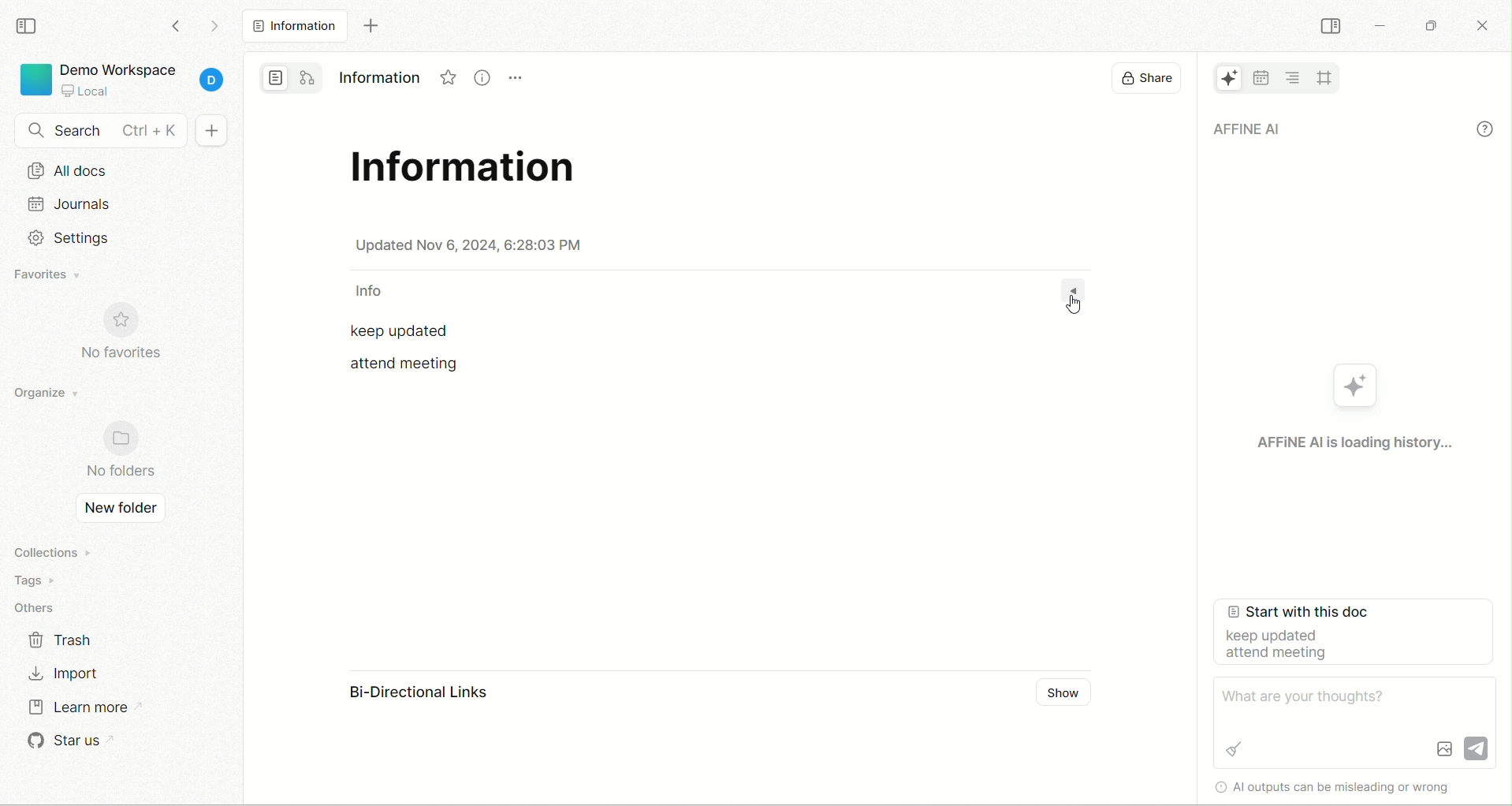 This screenshot has width=1512, height=806. What do you see at coordinates (39, 605) in the screenshot?
I see `others` at bounding box center [39, 605].